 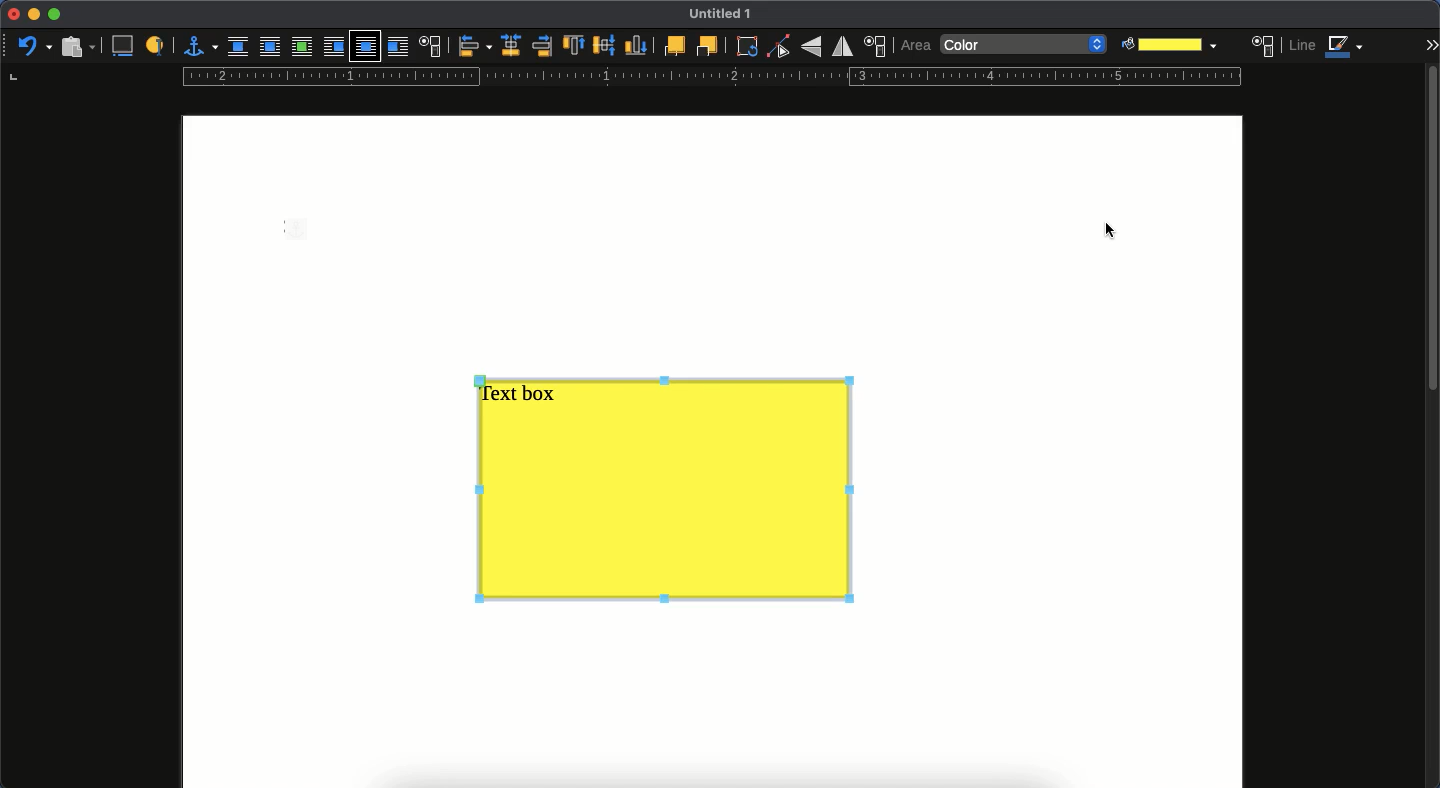 I want to click on UNTITLED 1, so click(x=728, y=15).